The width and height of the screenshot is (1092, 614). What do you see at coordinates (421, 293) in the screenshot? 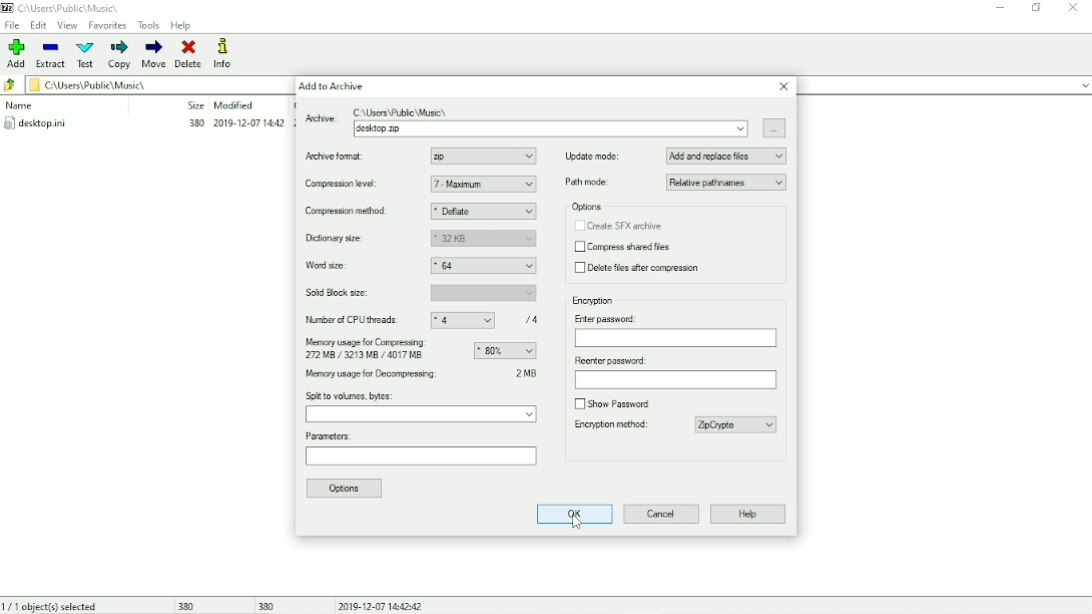
I see `Solid block size` at bounding box center [421, 293].